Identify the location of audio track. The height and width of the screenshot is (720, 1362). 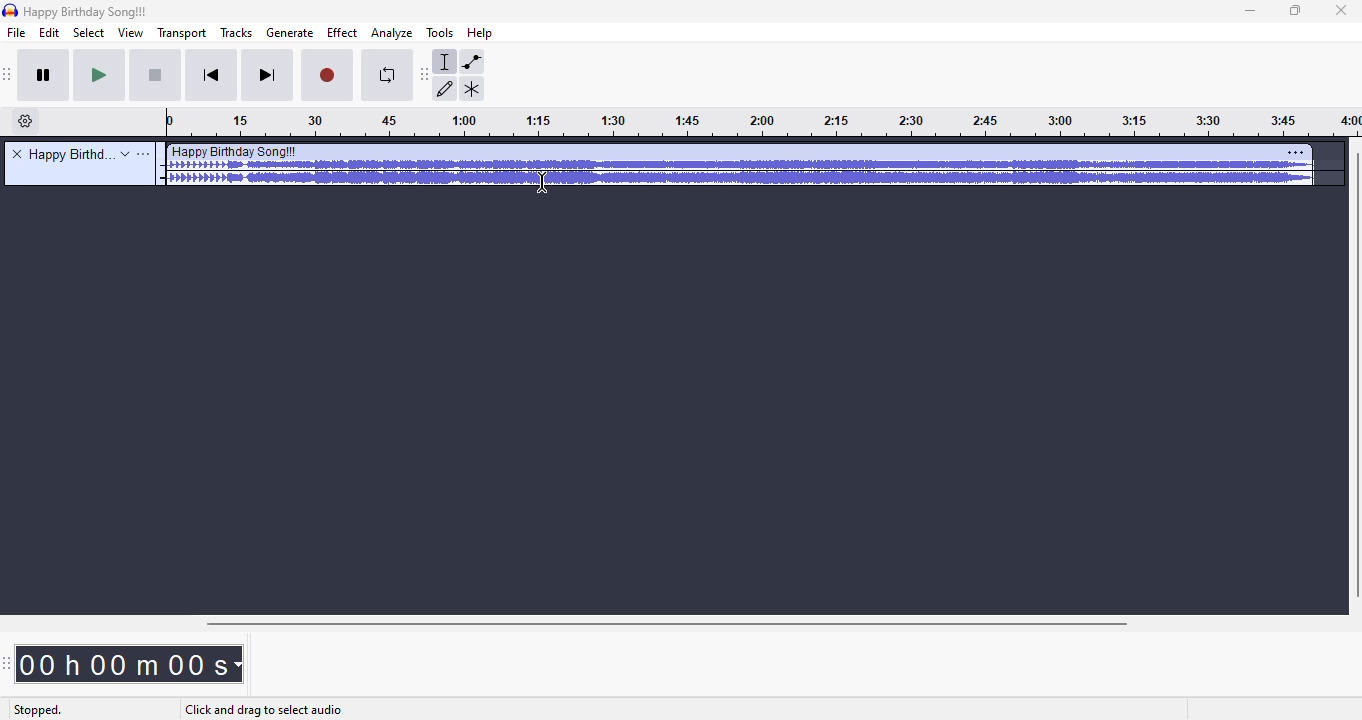
(741, 165).